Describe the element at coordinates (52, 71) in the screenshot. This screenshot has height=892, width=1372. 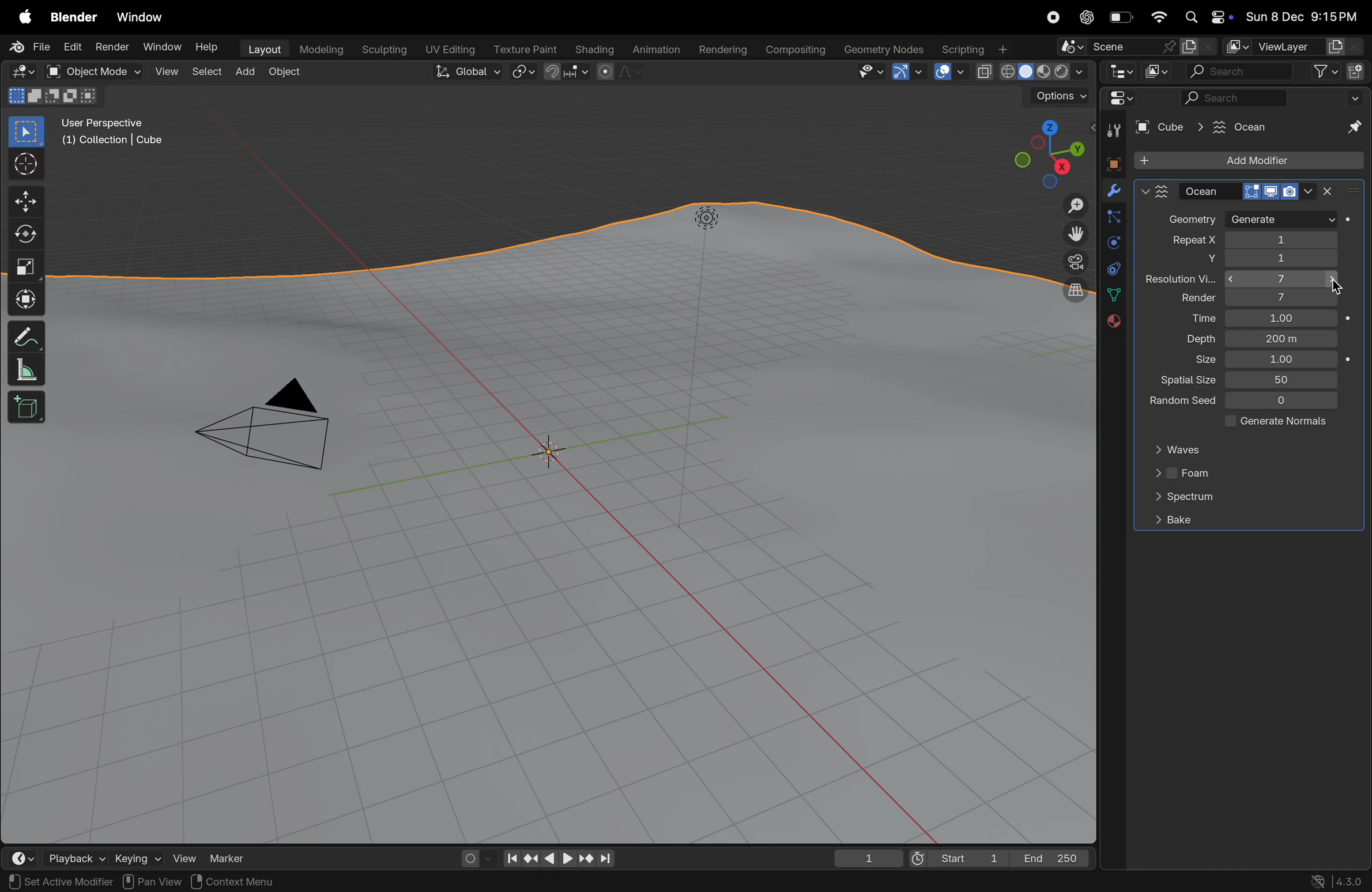
I see `open` at that location.